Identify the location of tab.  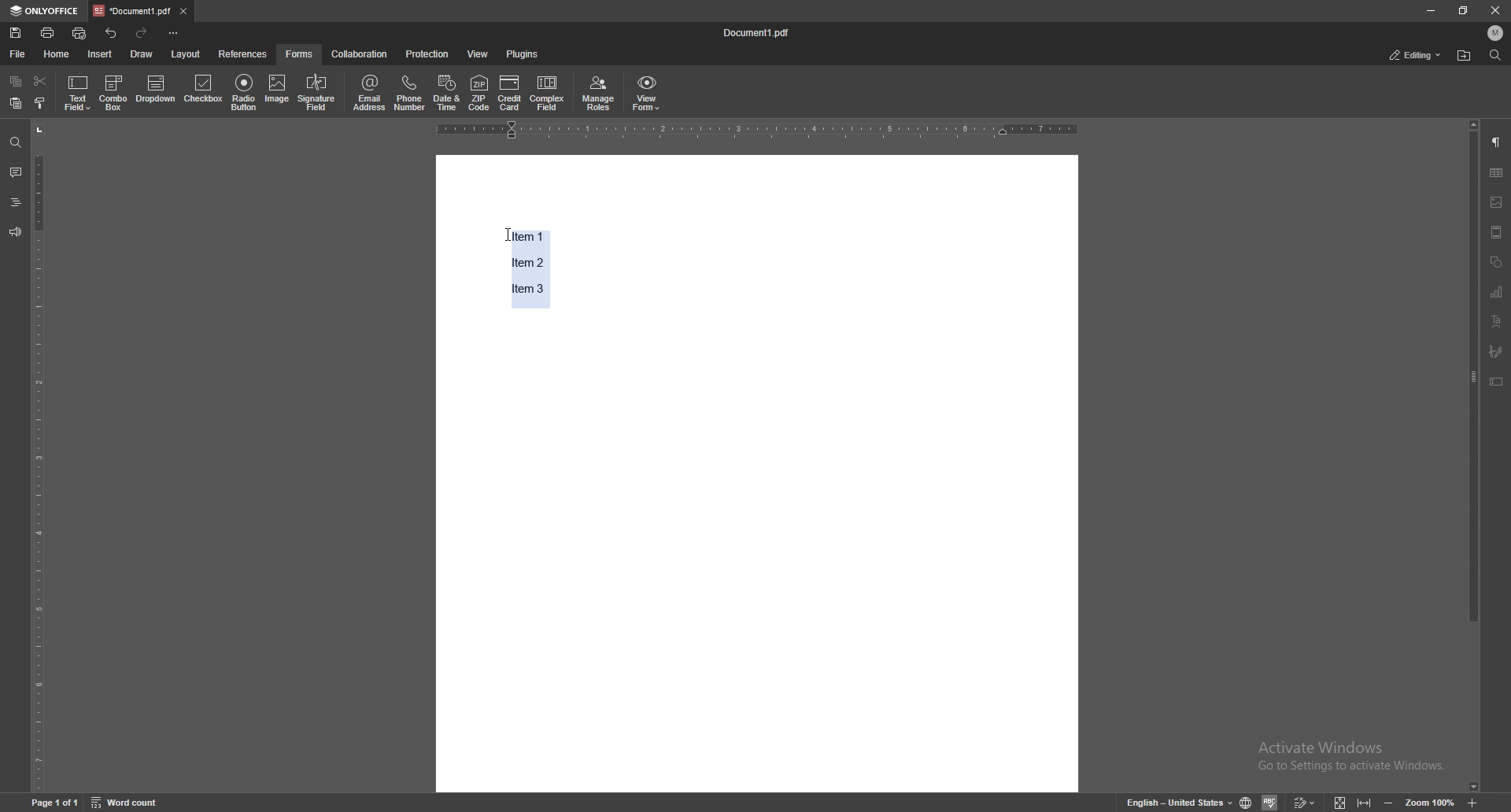
(132, 10).